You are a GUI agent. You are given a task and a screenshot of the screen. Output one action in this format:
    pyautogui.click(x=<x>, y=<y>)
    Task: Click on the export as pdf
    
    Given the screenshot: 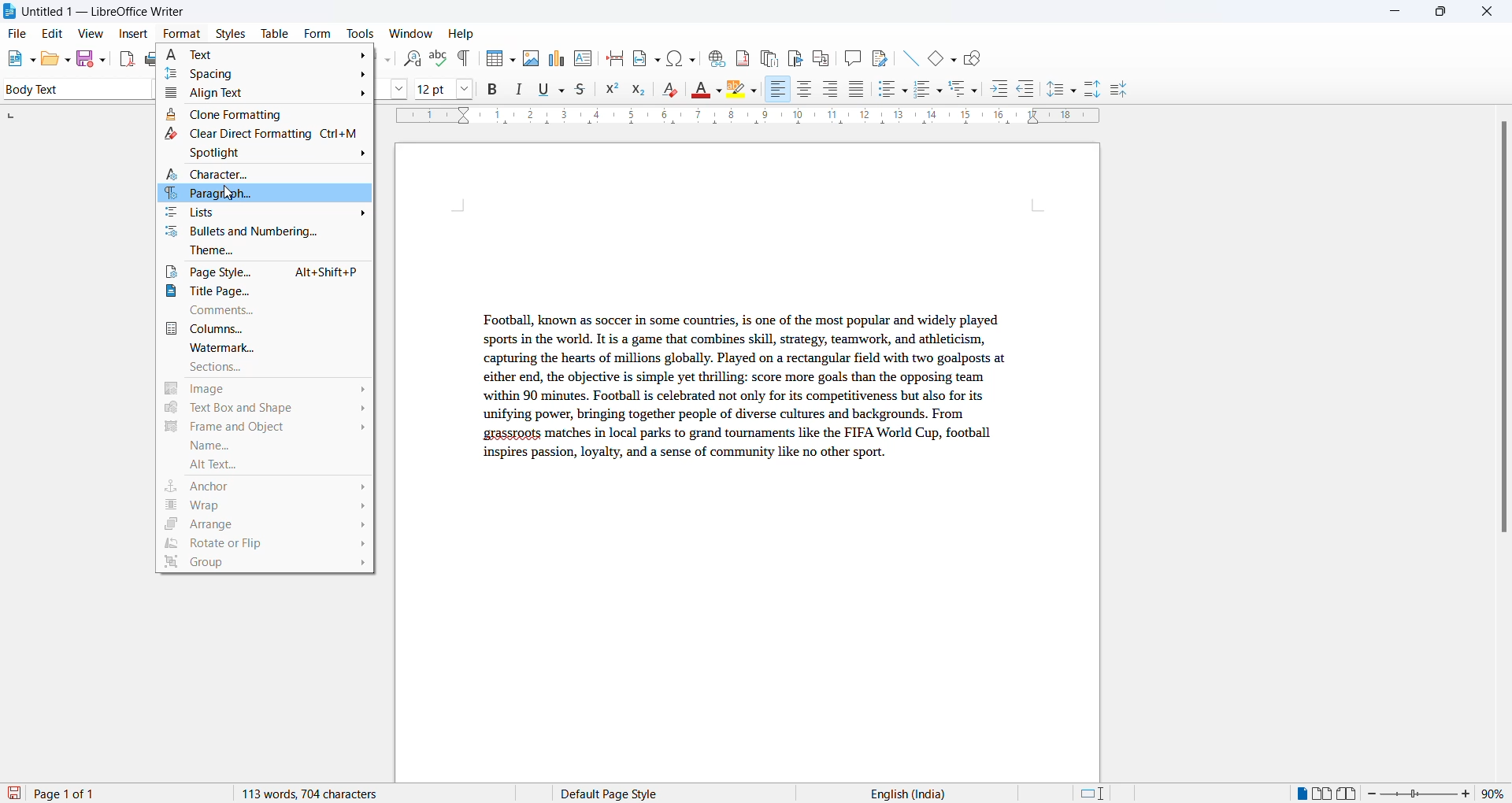 What is the action you would take?
    pyautogui.click(x=128, y=57)
    